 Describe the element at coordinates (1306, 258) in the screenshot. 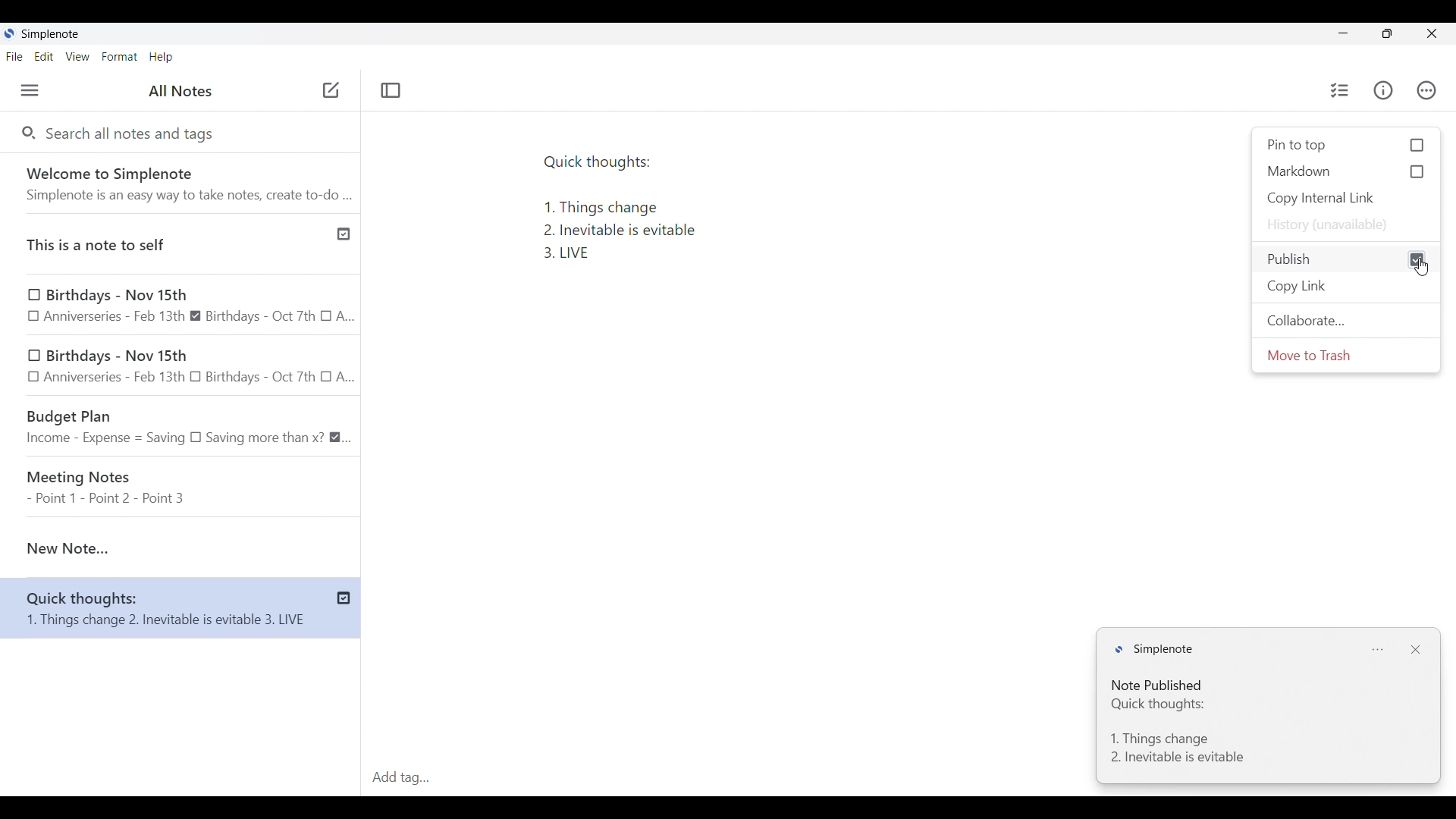

I see `Check to Publish` at that location.